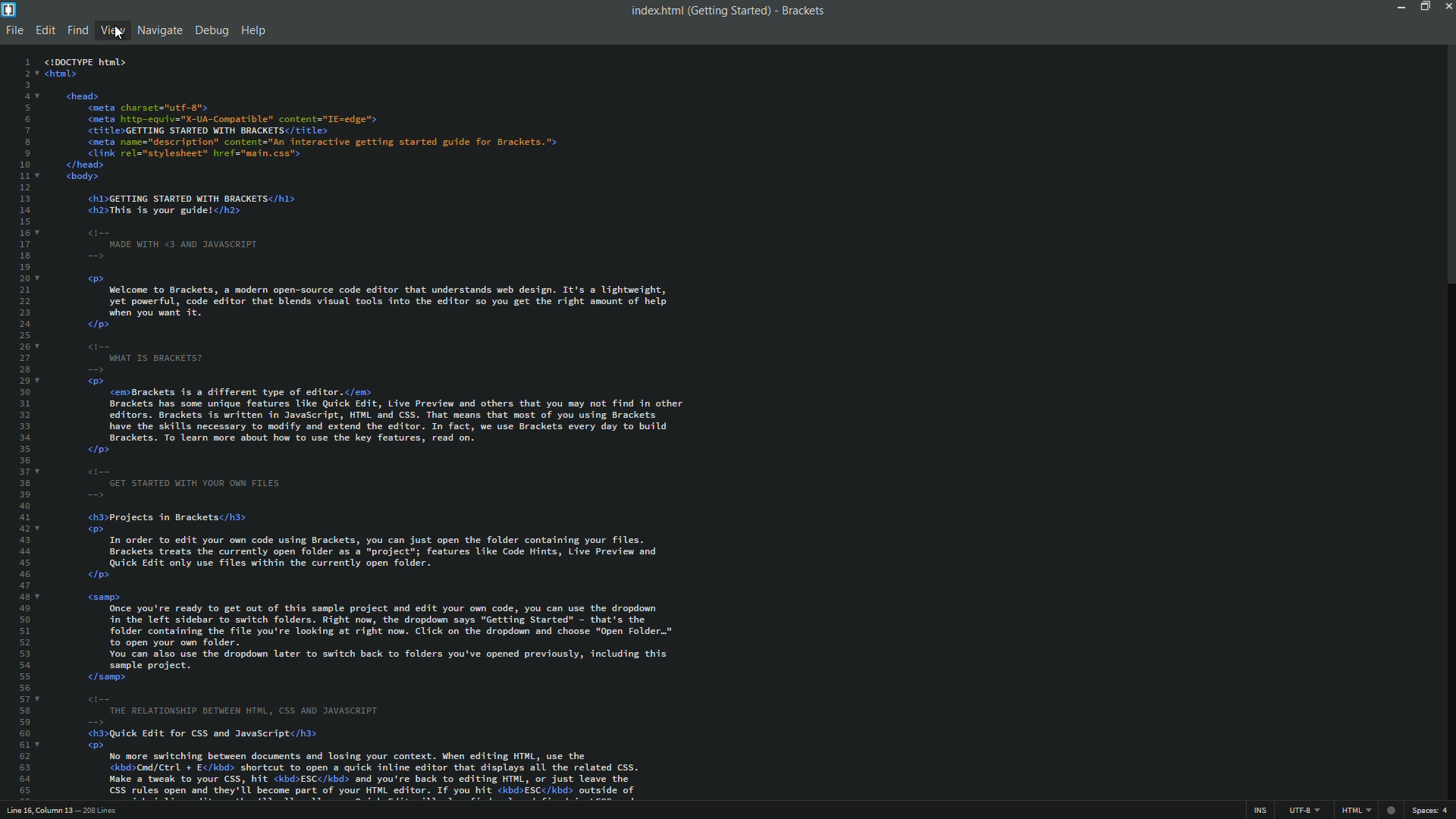  What do you see at coordinates (729, 11) in the screenshot?
I see `getting started` at bounding box center [729, 11].